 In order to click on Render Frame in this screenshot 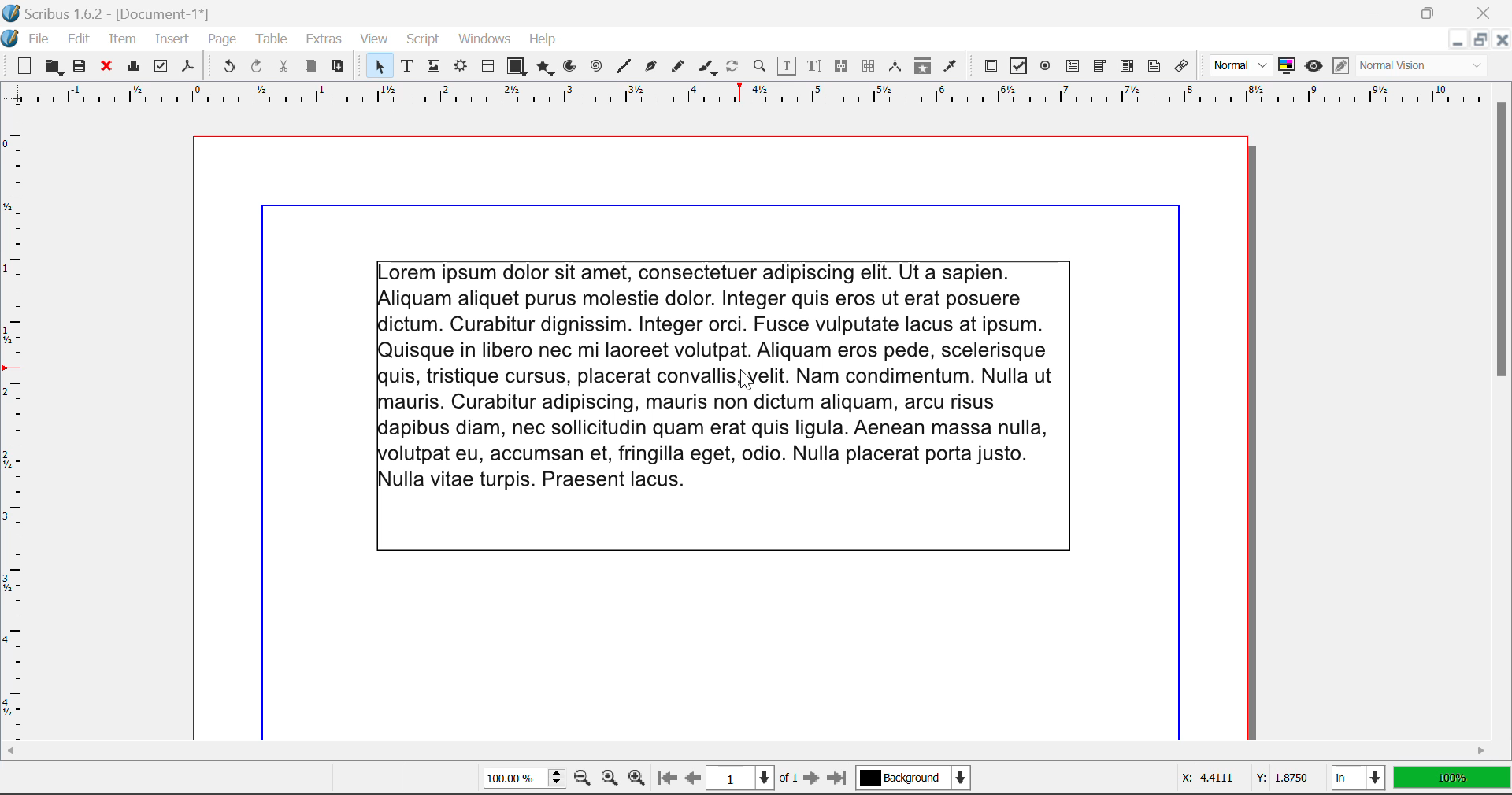, I will do `click(460, 68)`.